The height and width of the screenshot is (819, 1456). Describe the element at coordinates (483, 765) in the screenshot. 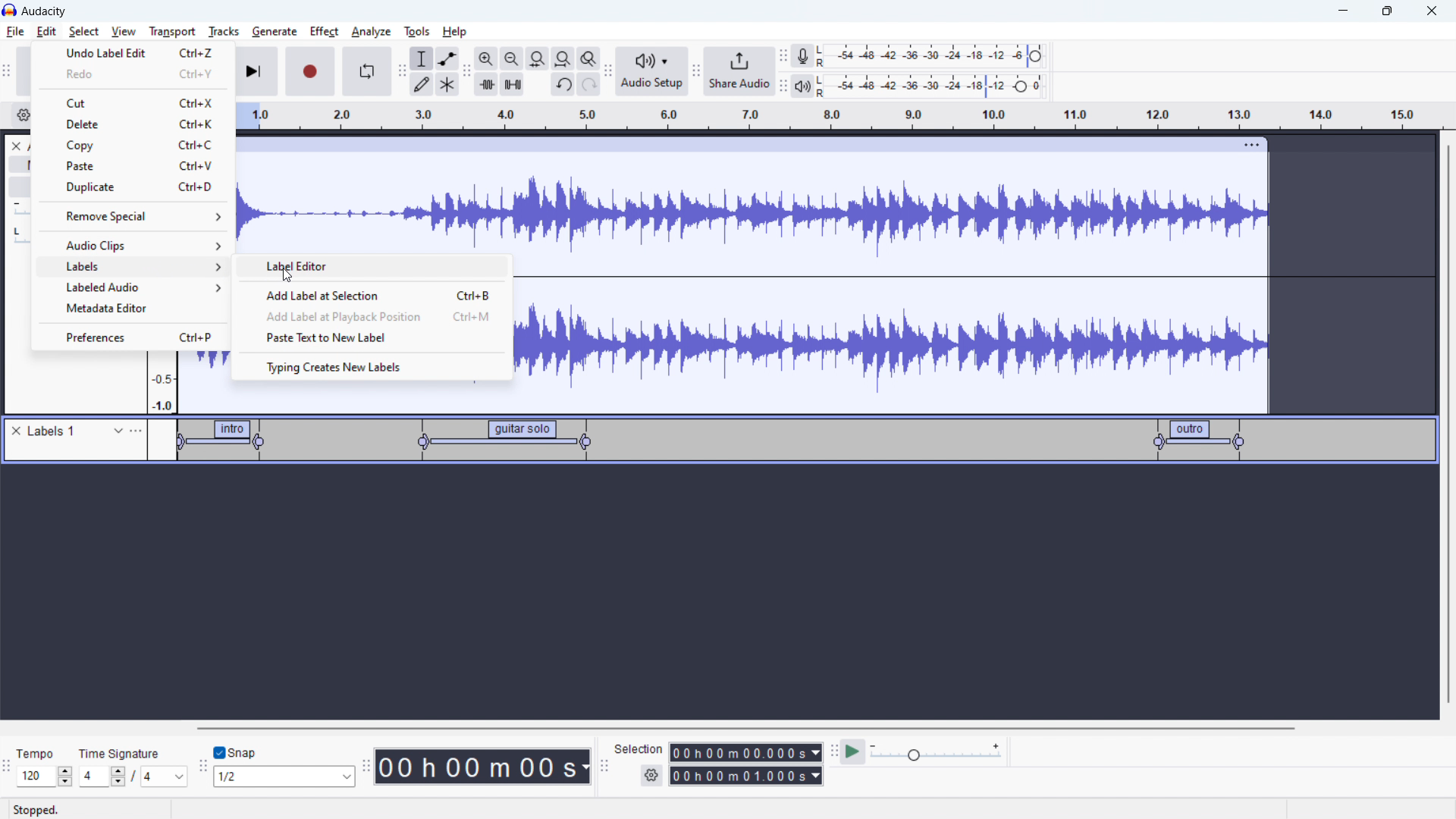

I see `timestamp` at that location.